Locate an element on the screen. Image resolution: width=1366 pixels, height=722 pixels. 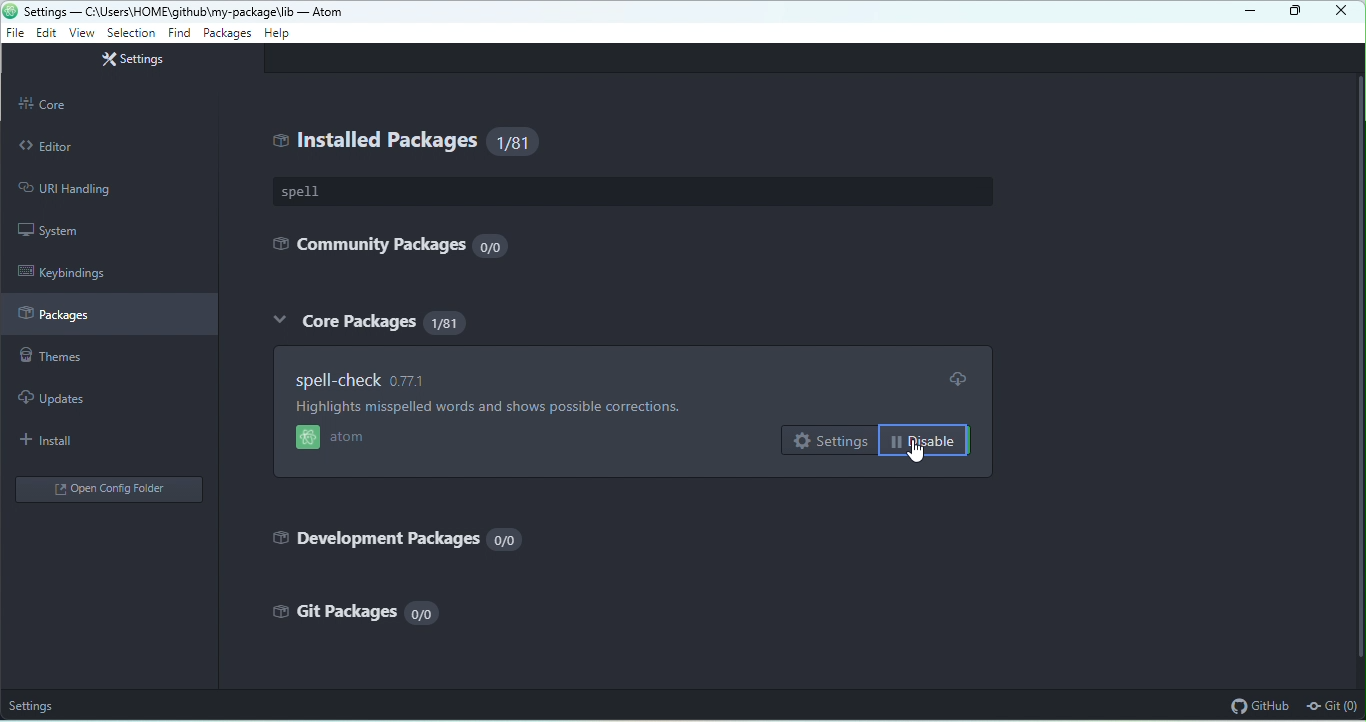
install is located at coordinates (55, 441).